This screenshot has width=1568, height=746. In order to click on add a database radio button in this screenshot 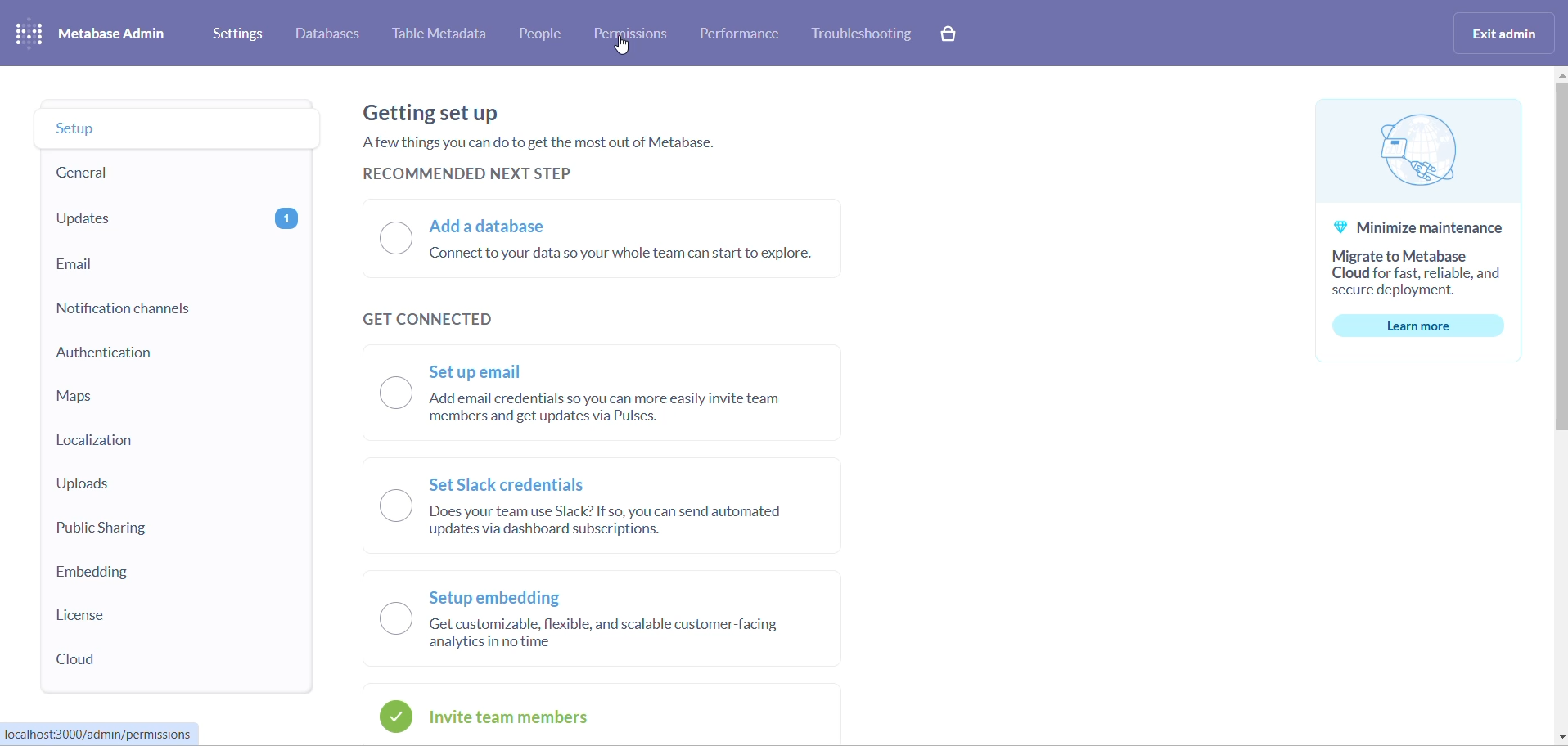, I will do `click(644, 247)`.